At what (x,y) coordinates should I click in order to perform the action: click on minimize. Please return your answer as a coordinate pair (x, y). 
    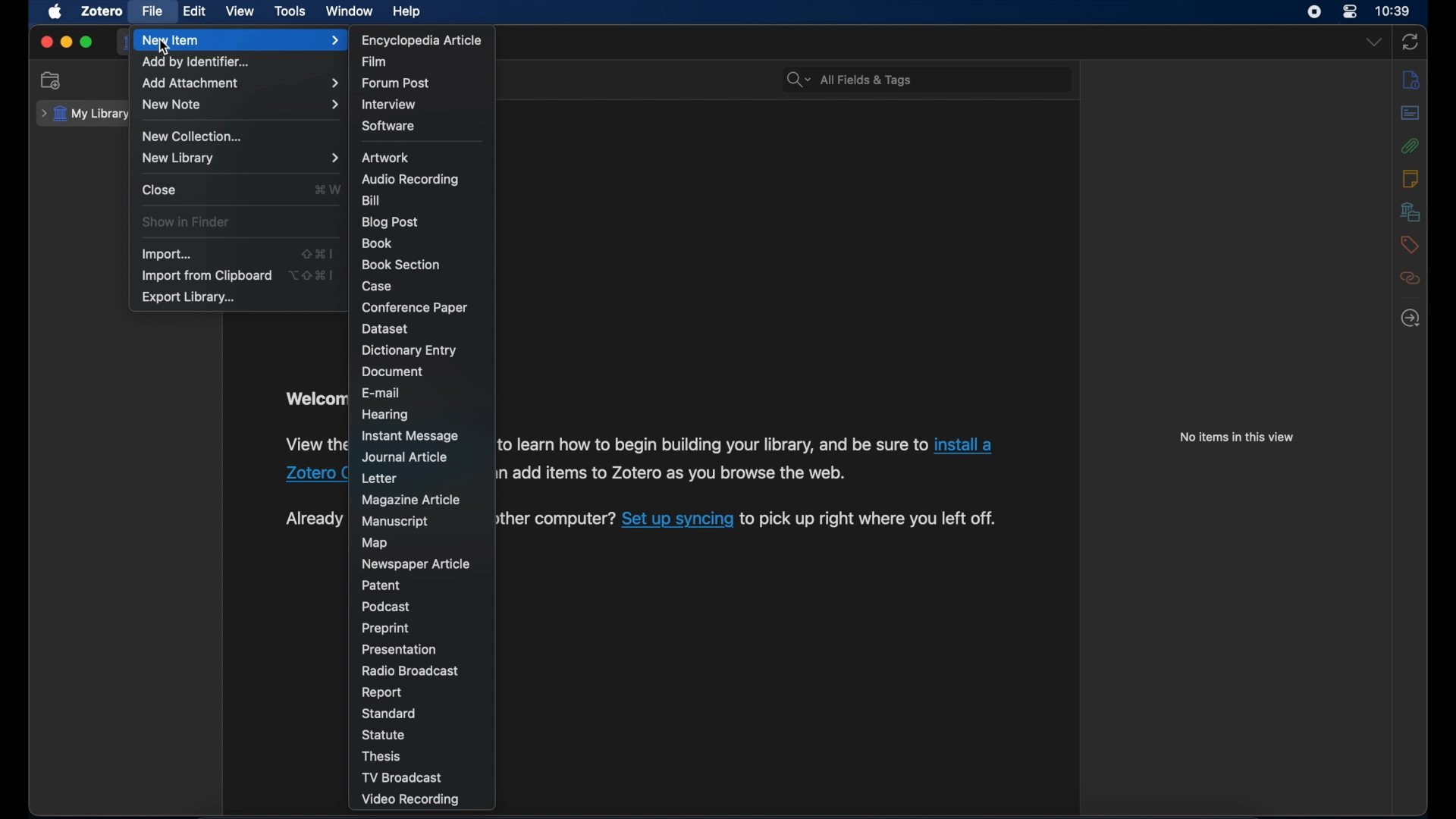
    Looking at the image, I should click on (67, 43).